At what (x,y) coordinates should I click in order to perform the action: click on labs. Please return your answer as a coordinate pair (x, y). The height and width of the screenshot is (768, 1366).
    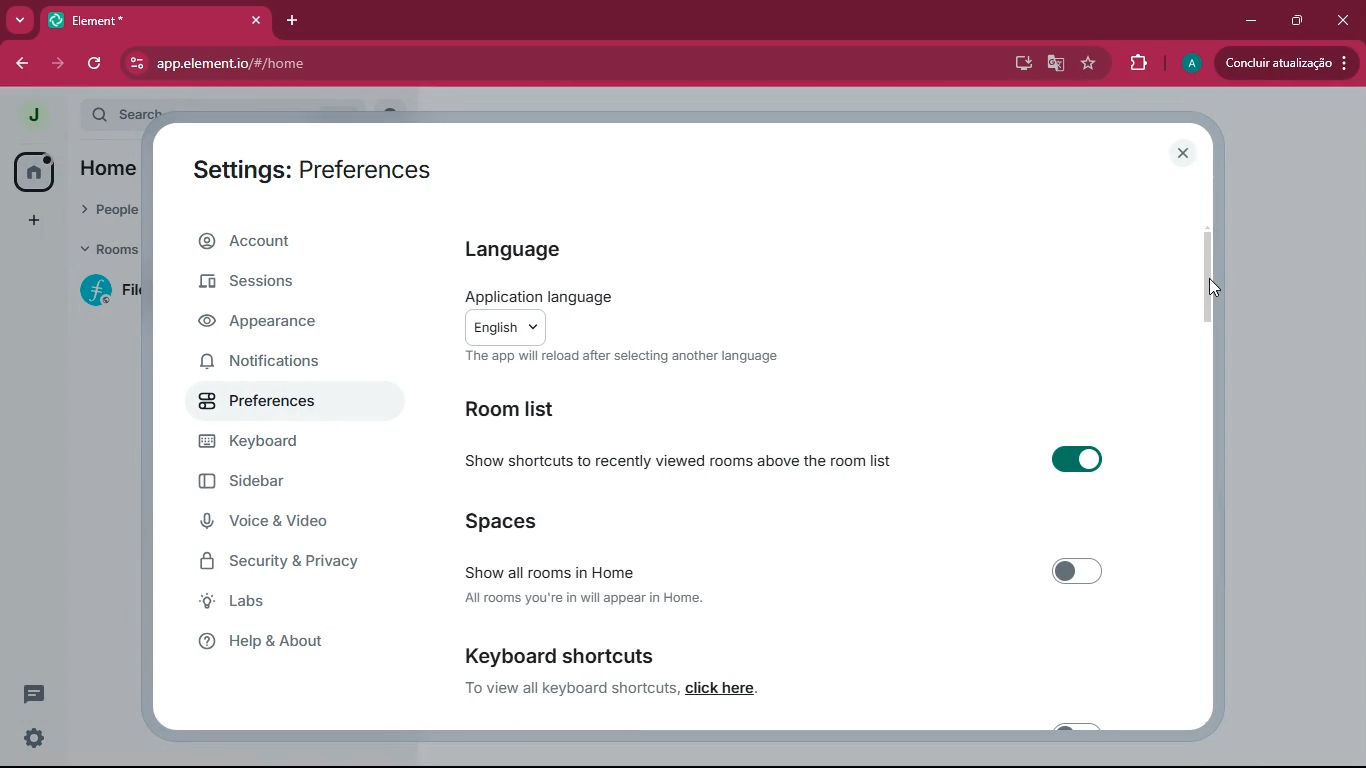
    Looking at the image, I should click on (270, 603).